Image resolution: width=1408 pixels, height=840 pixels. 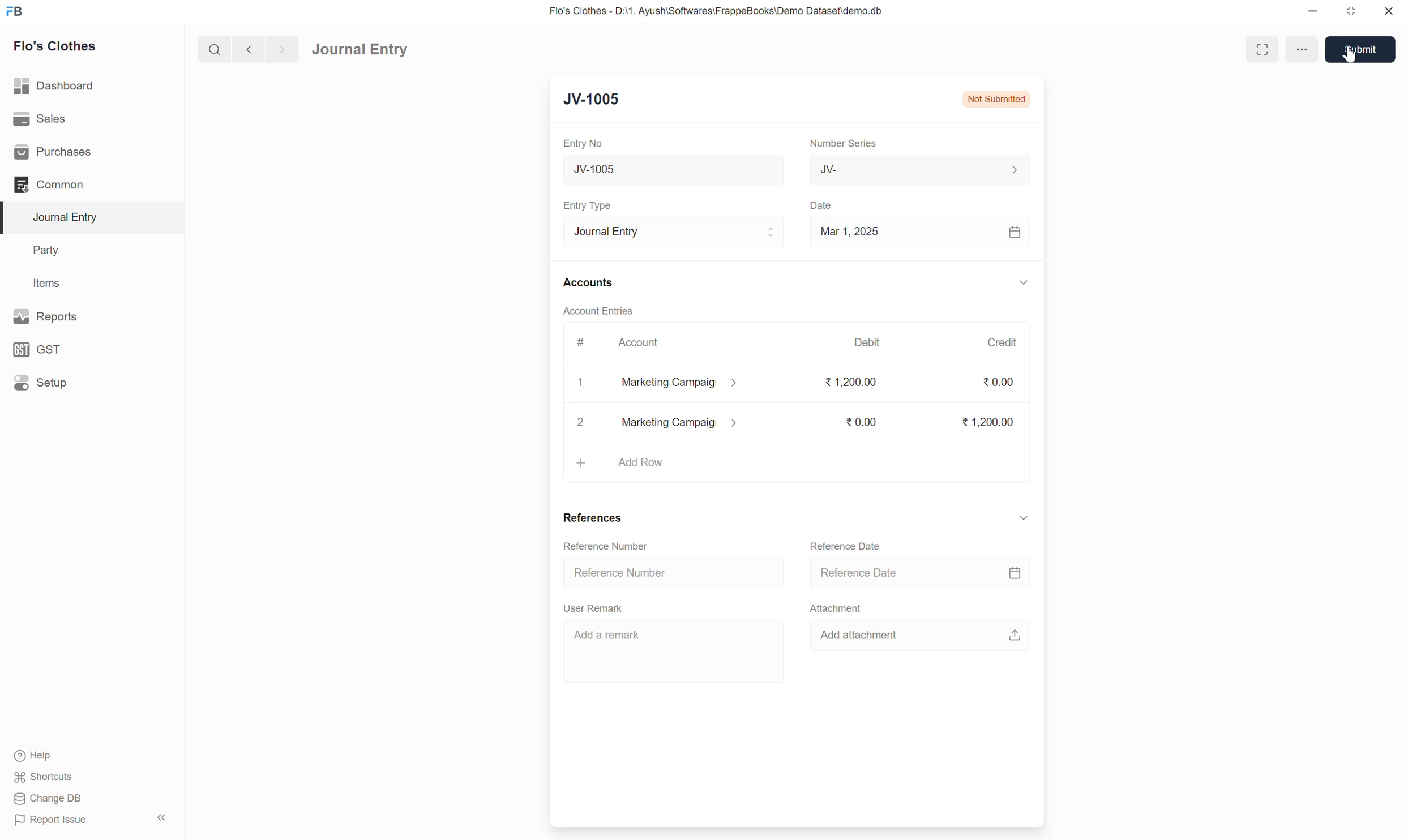 I want to click on upload, so click(x=1012, y=635).